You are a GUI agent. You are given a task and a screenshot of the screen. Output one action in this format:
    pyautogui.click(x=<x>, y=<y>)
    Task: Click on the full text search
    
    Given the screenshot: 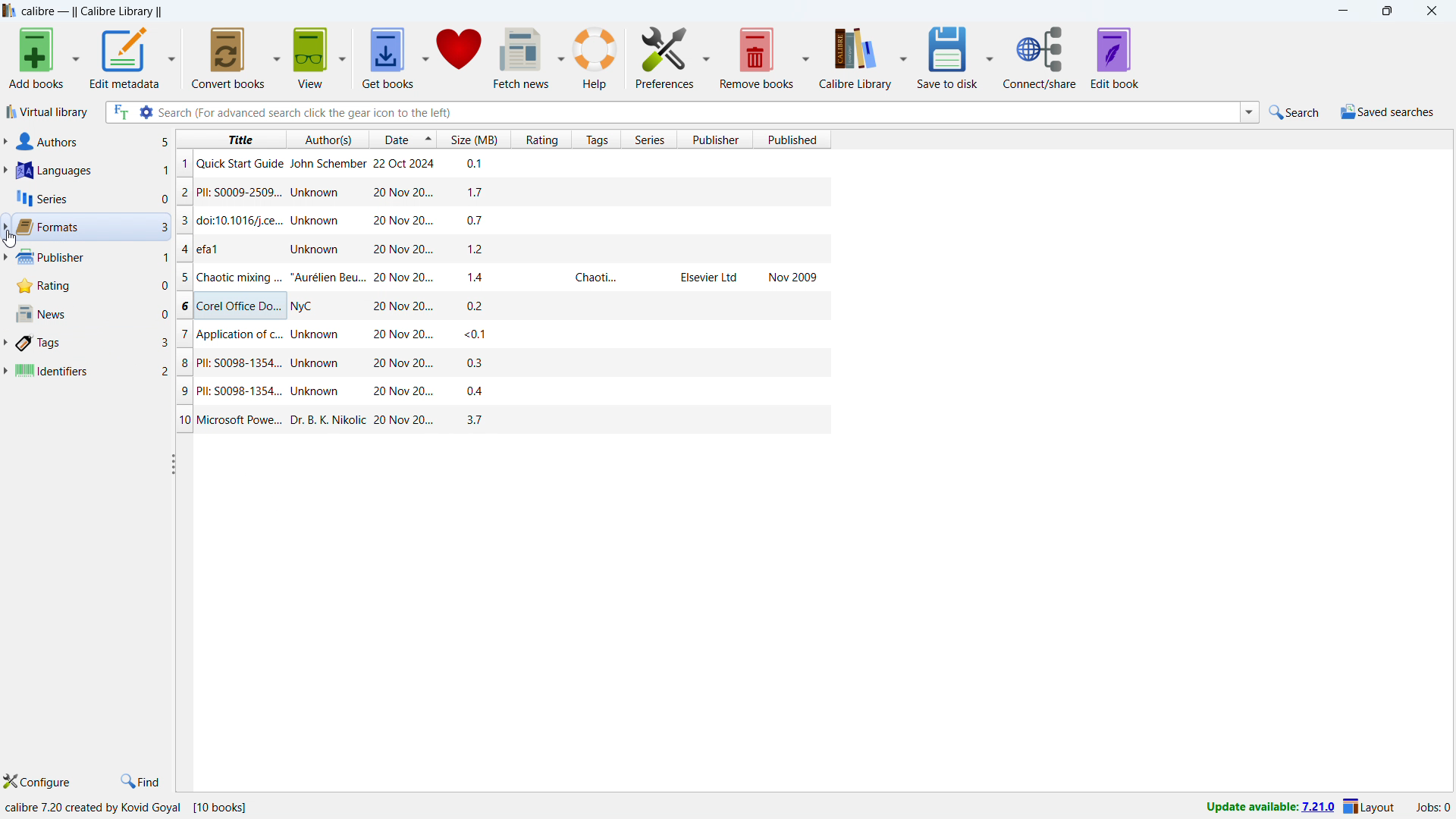 What is the action you would take?
    pyautogui.click(x=120, y=111)
    